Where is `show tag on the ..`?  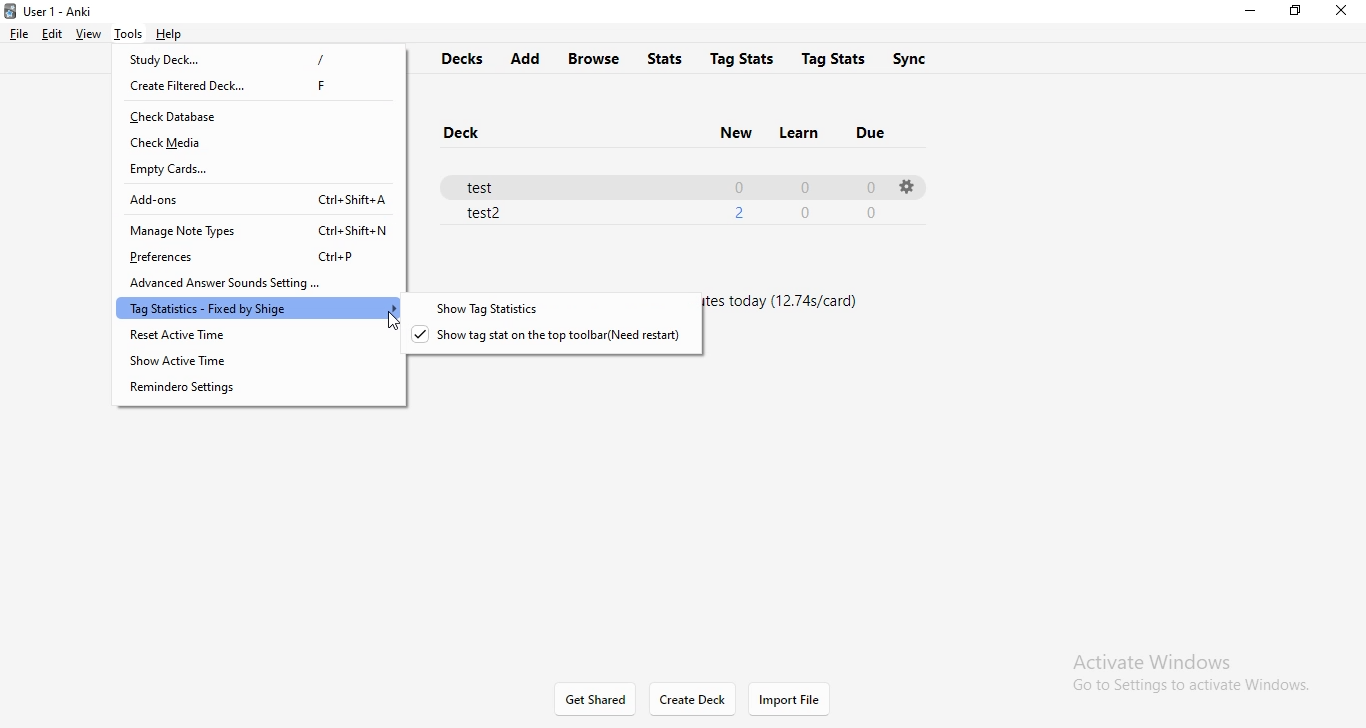
show tag on the .. is located at coordinates (560, 342).